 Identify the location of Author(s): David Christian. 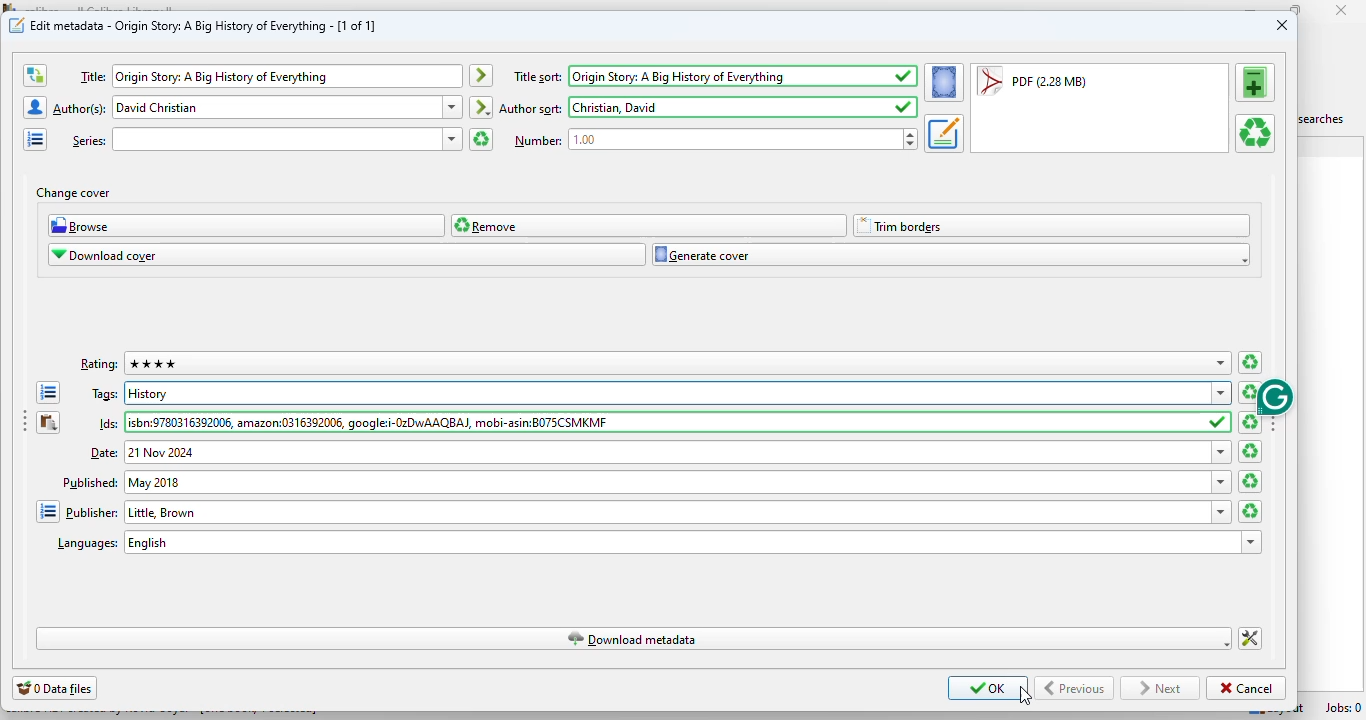
(277, 108).